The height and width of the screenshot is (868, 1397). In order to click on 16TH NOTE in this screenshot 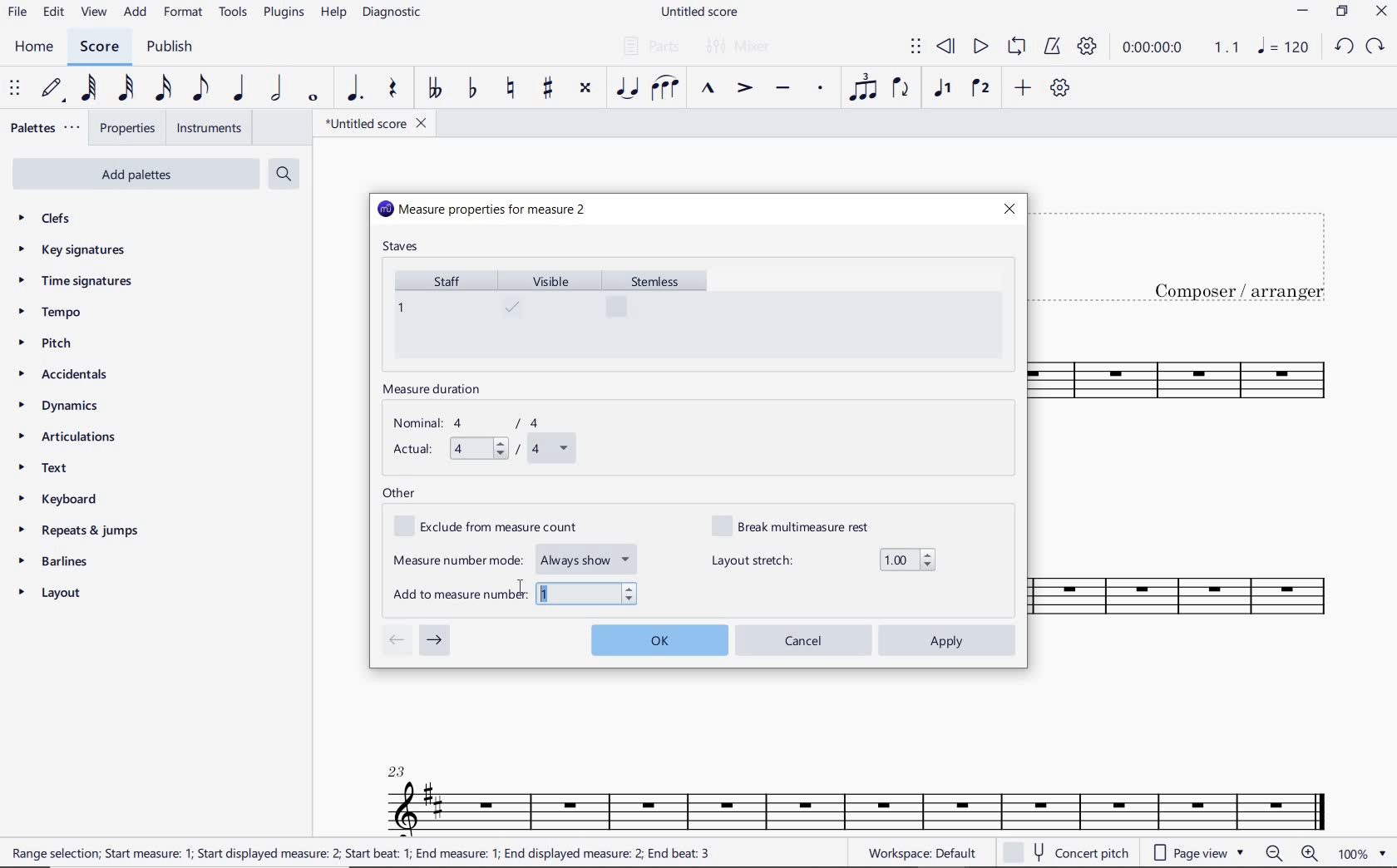, I will do `click(161, 89)`.